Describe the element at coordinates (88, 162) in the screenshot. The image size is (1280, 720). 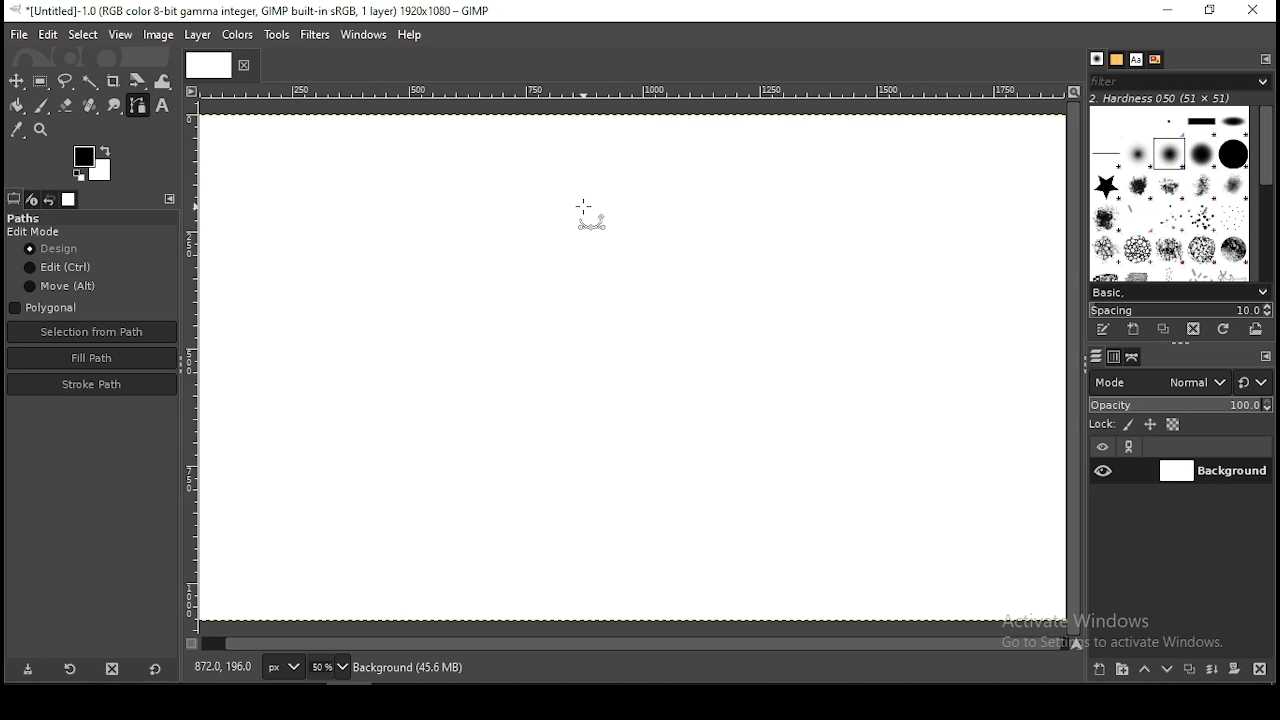
I see `colors` at that location.